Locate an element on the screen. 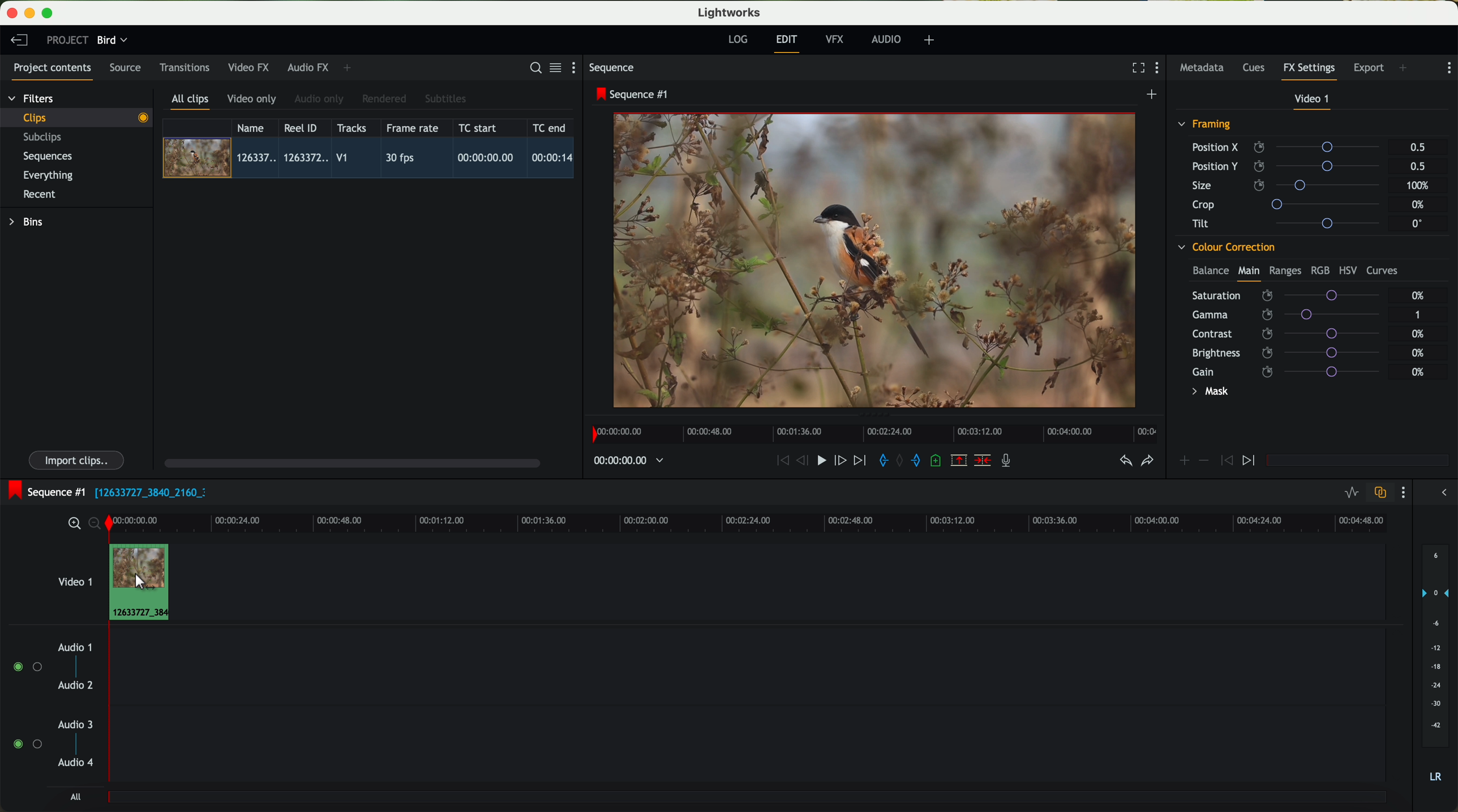 The height and width of the screenshot is (812, 1458). leave is located at coordinates (19, 41).